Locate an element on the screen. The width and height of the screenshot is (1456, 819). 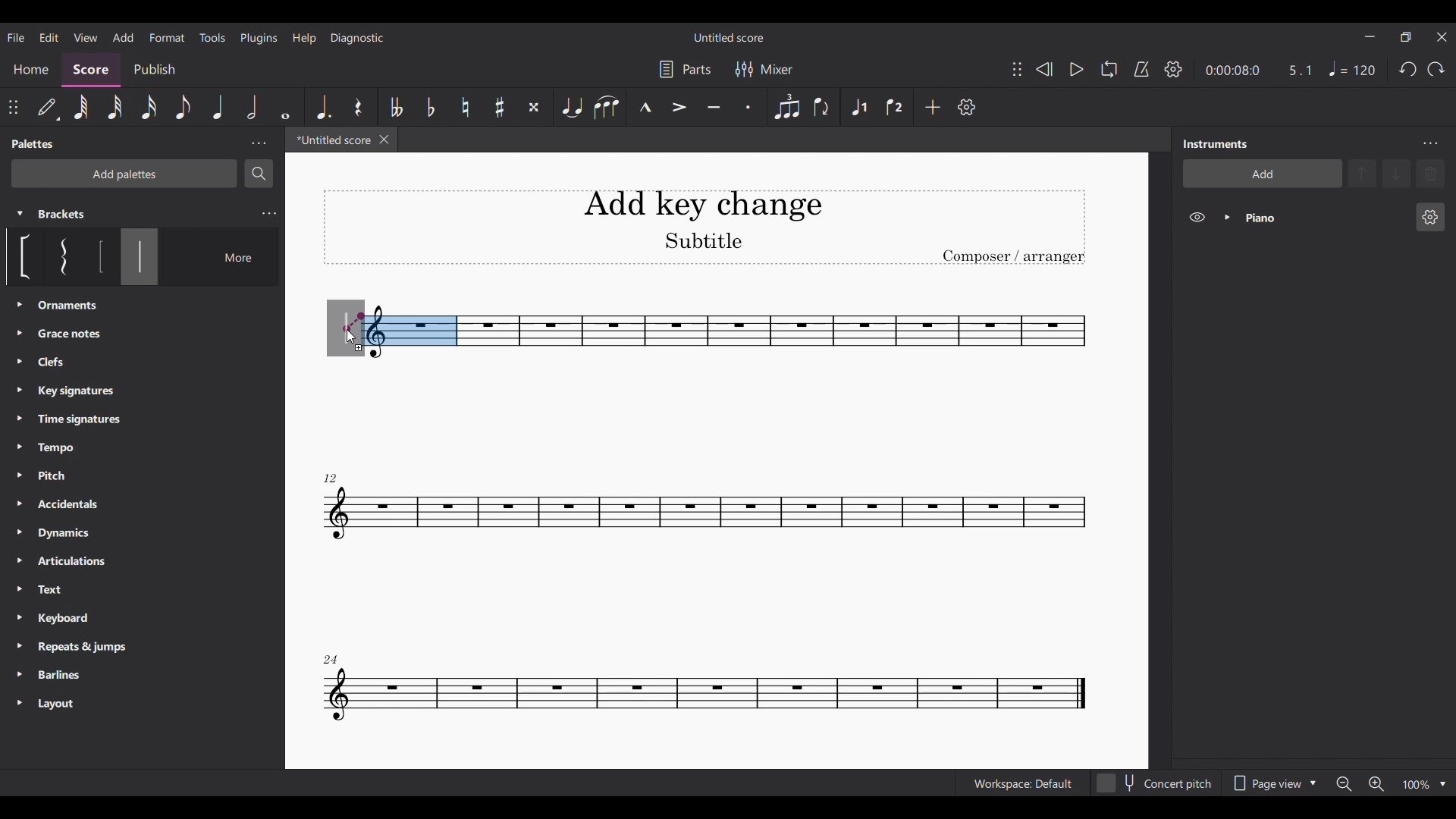
Instruments settings is located at coordinates (1430, 143).